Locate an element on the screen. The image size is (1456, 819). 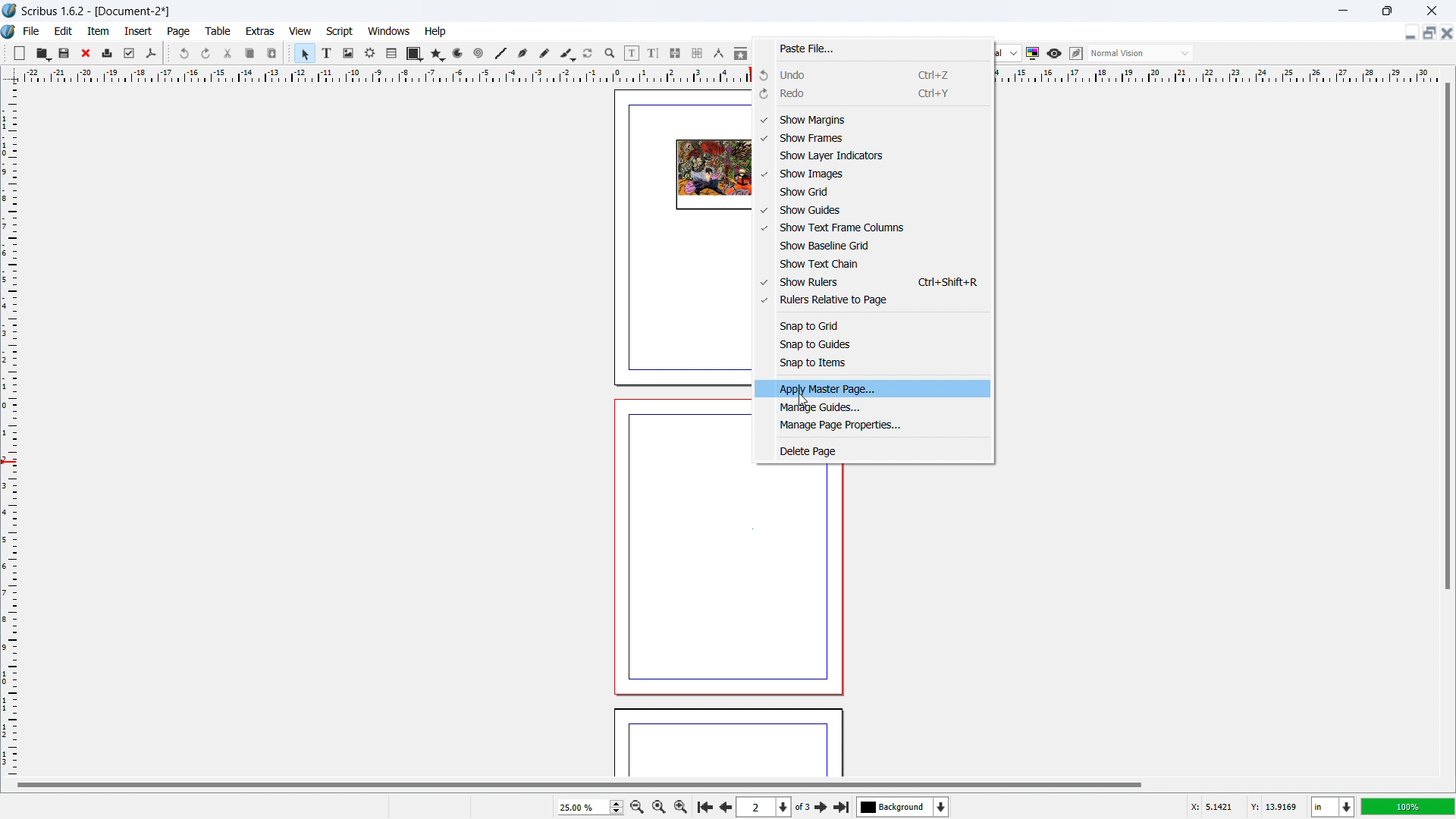
last page is located at coordinates (841, 805).